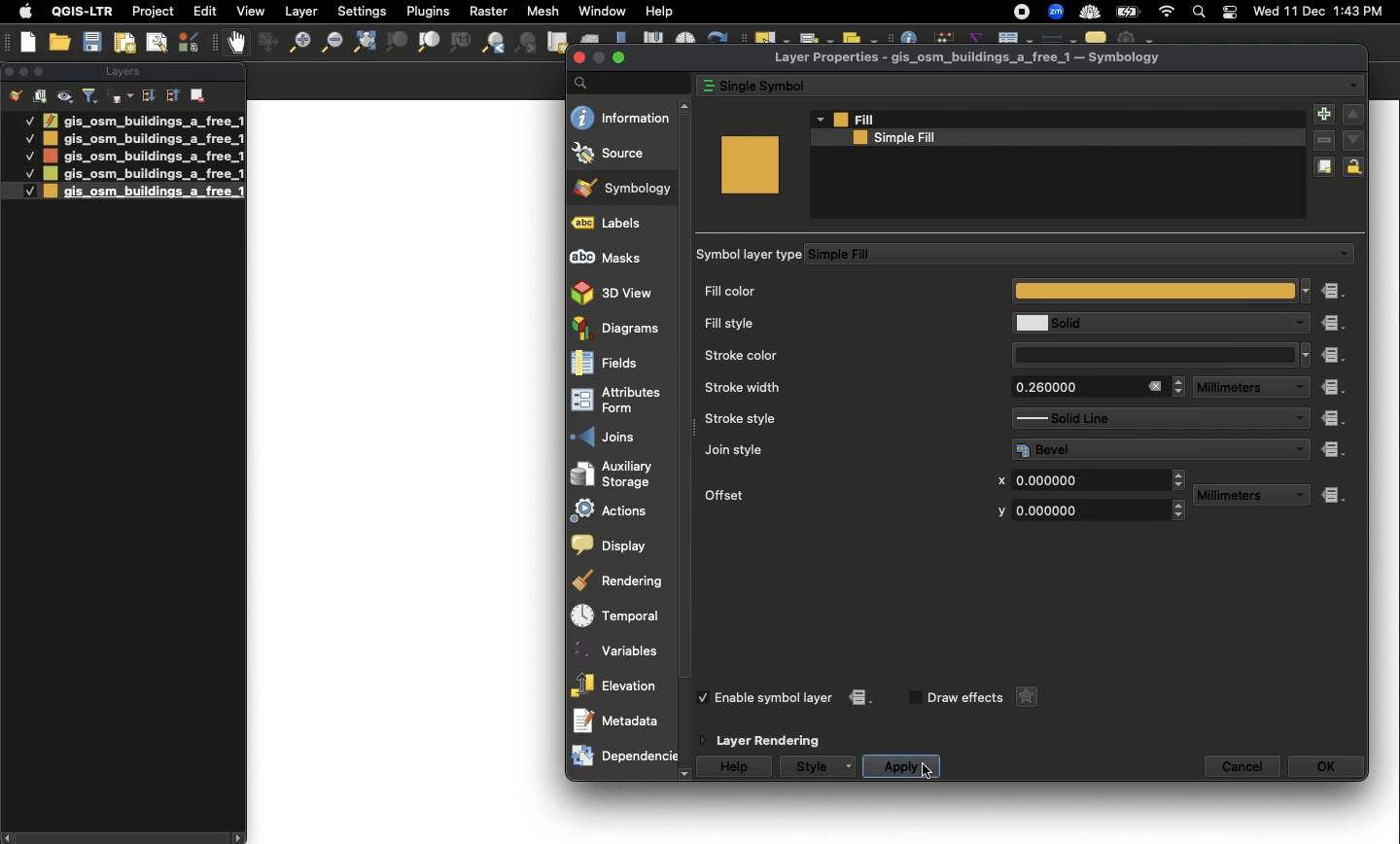 The width and height of the screenshot is (1400, 844). What do you see at coordinates (1180, 479) in the screenshot?
I see `Drop down` at bounding box center [1180, 479].